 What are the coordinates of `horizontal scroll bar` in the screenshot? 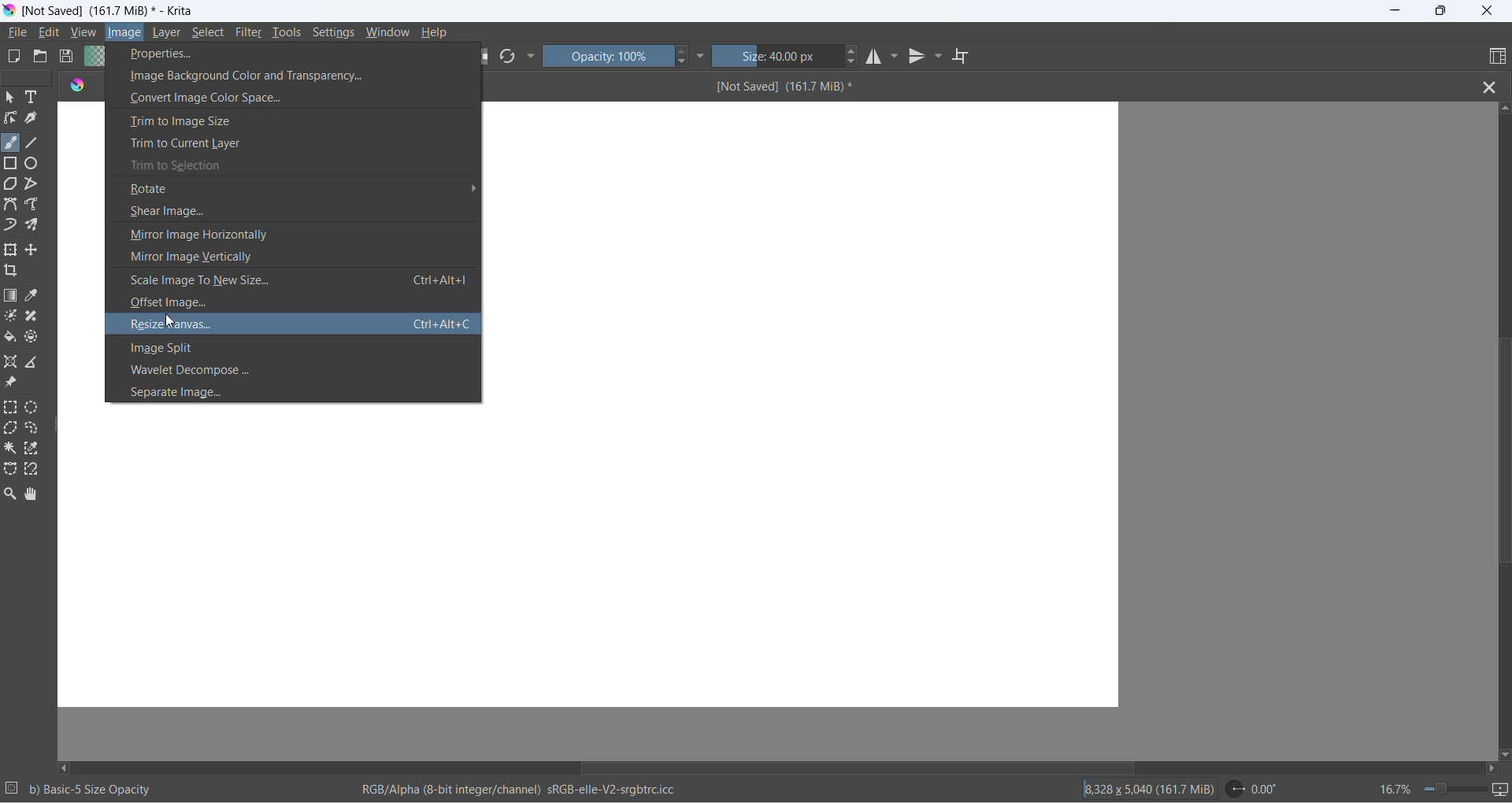 It's located at (857, 763).